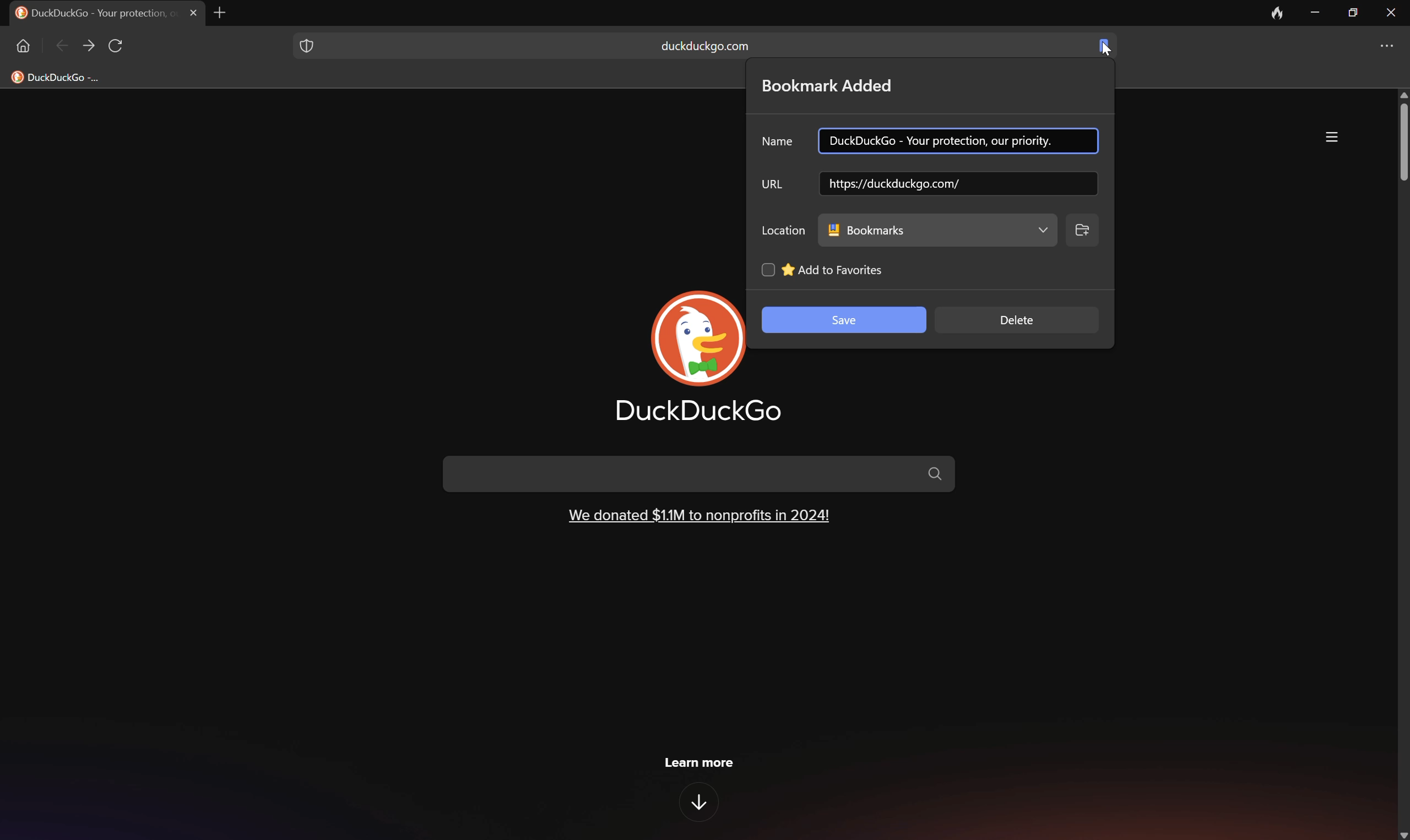  Describe the element at coordinates (866, 229) in the screenshot. I see `Bookmarks` at that location.